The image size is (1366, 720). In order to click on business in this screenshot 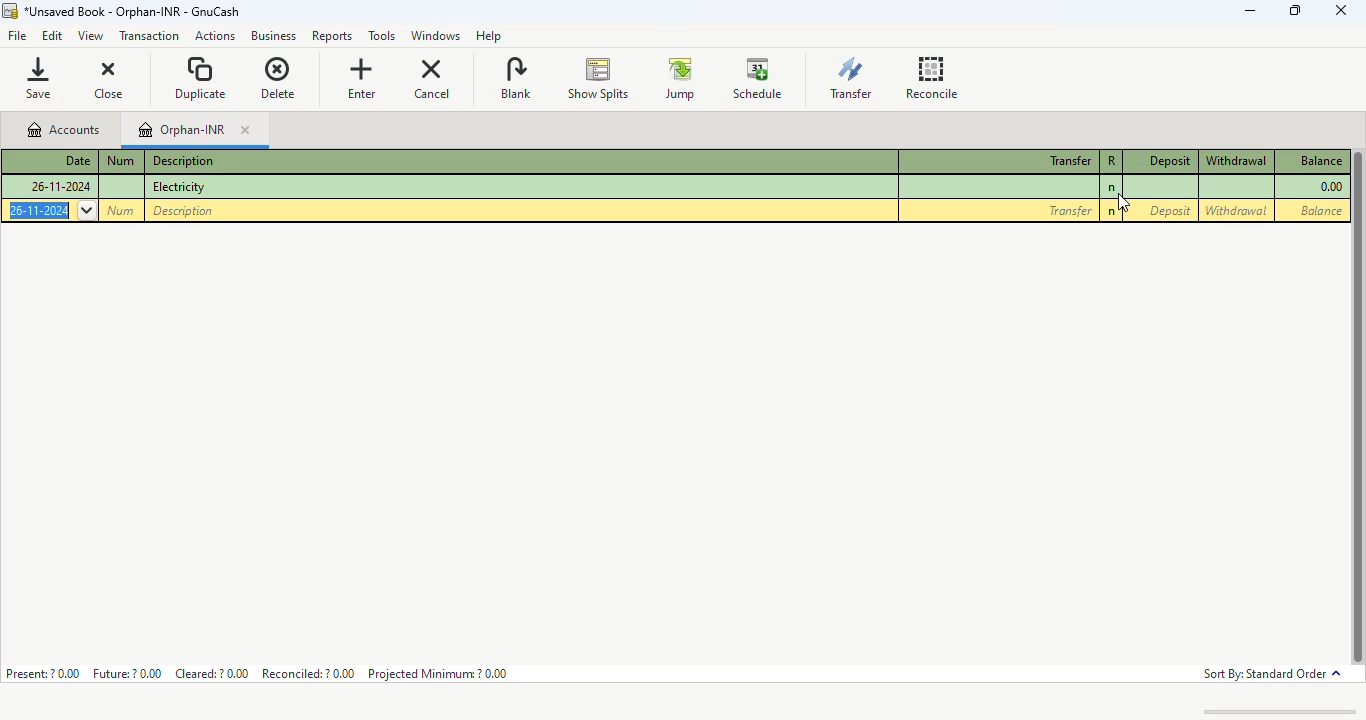, I will do `click(274, 36)`.